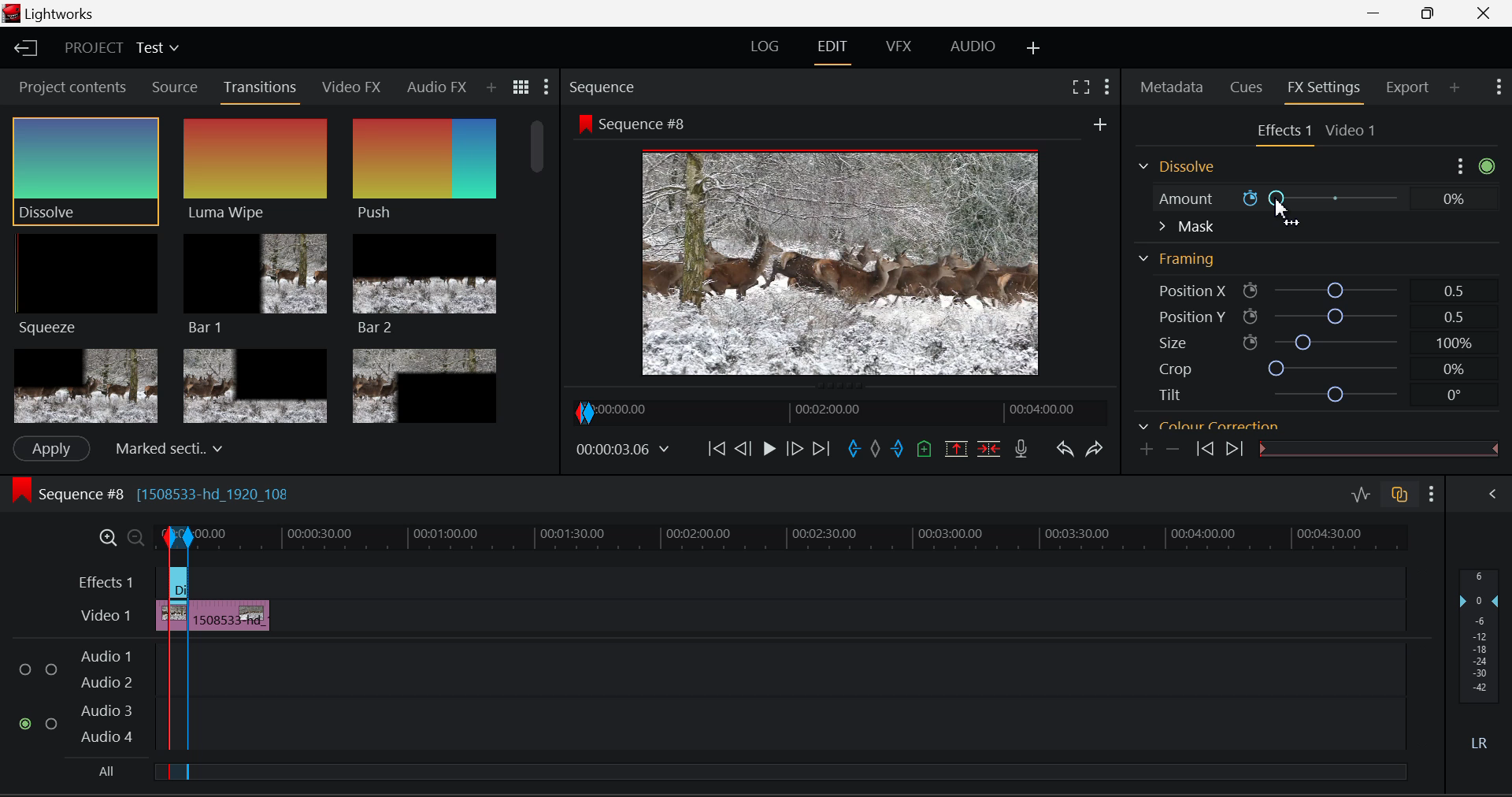  What do you see at coordinates (798, 662) in the screenshot?
I see `Audio Input Field` at bounding box center [798, 662].